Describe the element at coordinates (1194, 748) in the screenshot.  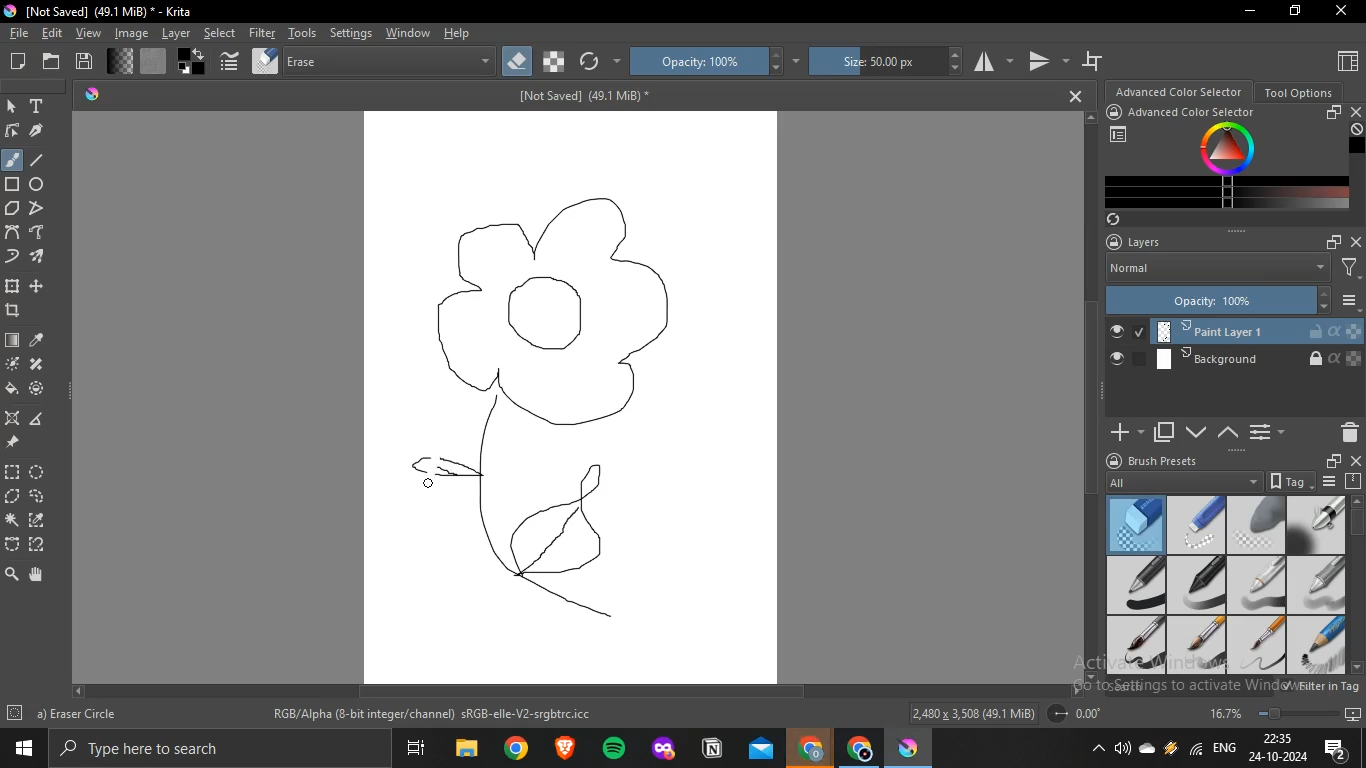
I see `Network` at that location.